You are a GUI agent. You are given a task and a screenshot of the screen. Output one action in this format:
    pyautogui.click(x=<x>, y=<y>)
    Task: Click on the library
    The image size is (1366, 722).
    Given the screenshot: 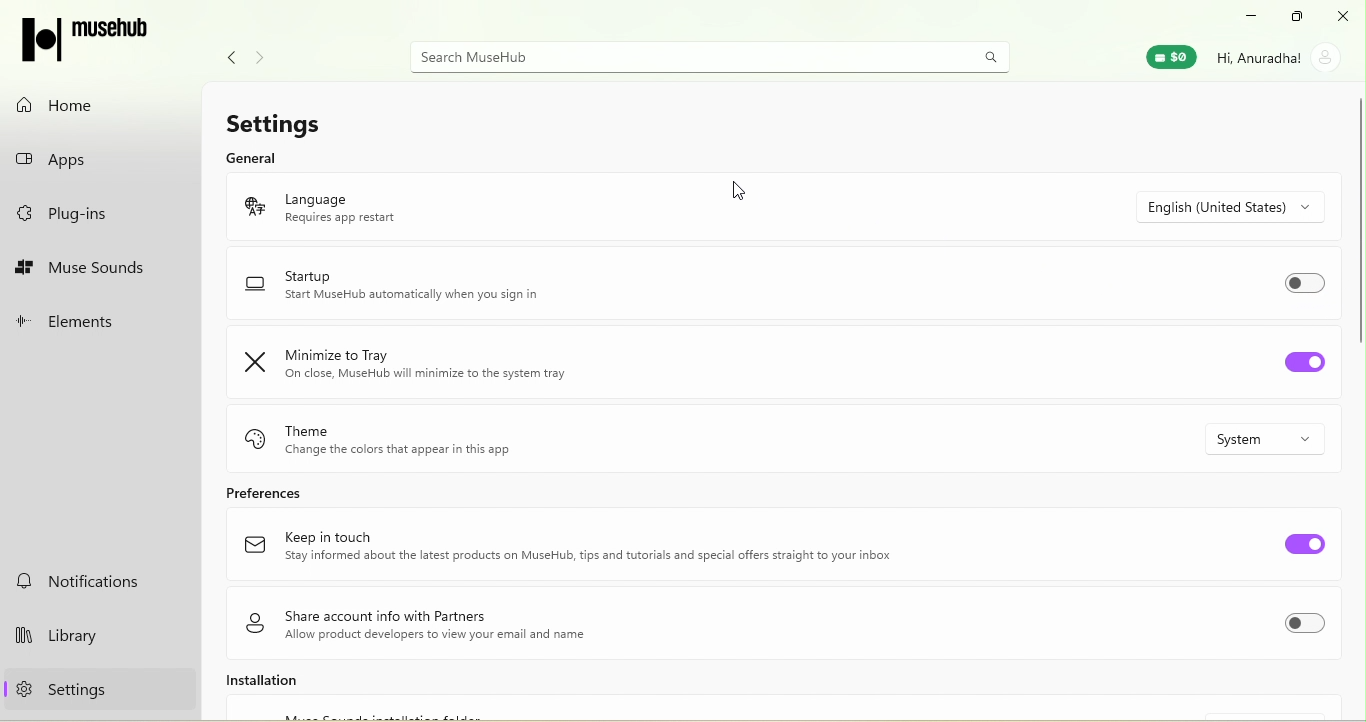 What is the action you would take?
    pyautogui.click(x=92, y=633)
    